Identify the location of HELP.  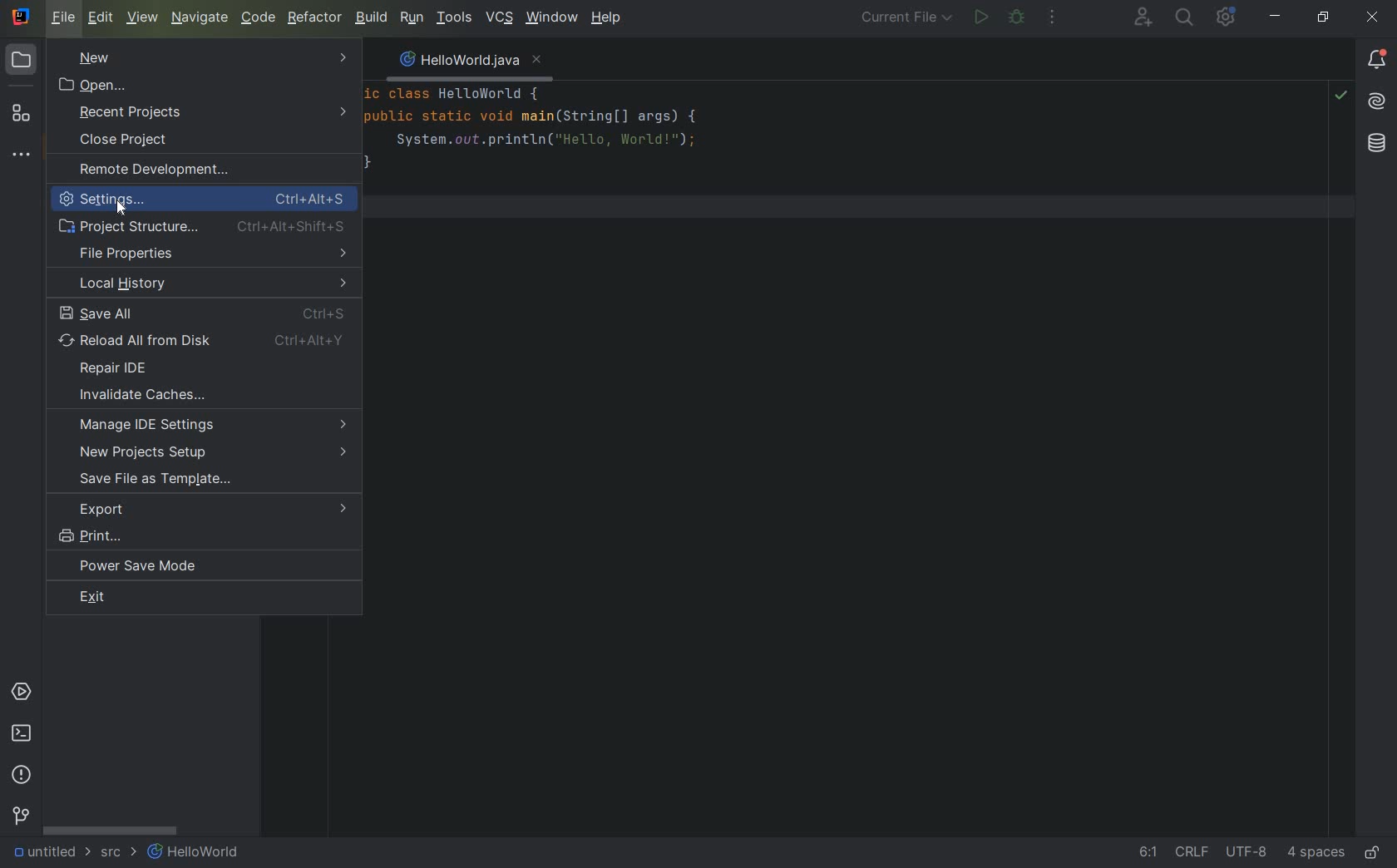
(608, 18).